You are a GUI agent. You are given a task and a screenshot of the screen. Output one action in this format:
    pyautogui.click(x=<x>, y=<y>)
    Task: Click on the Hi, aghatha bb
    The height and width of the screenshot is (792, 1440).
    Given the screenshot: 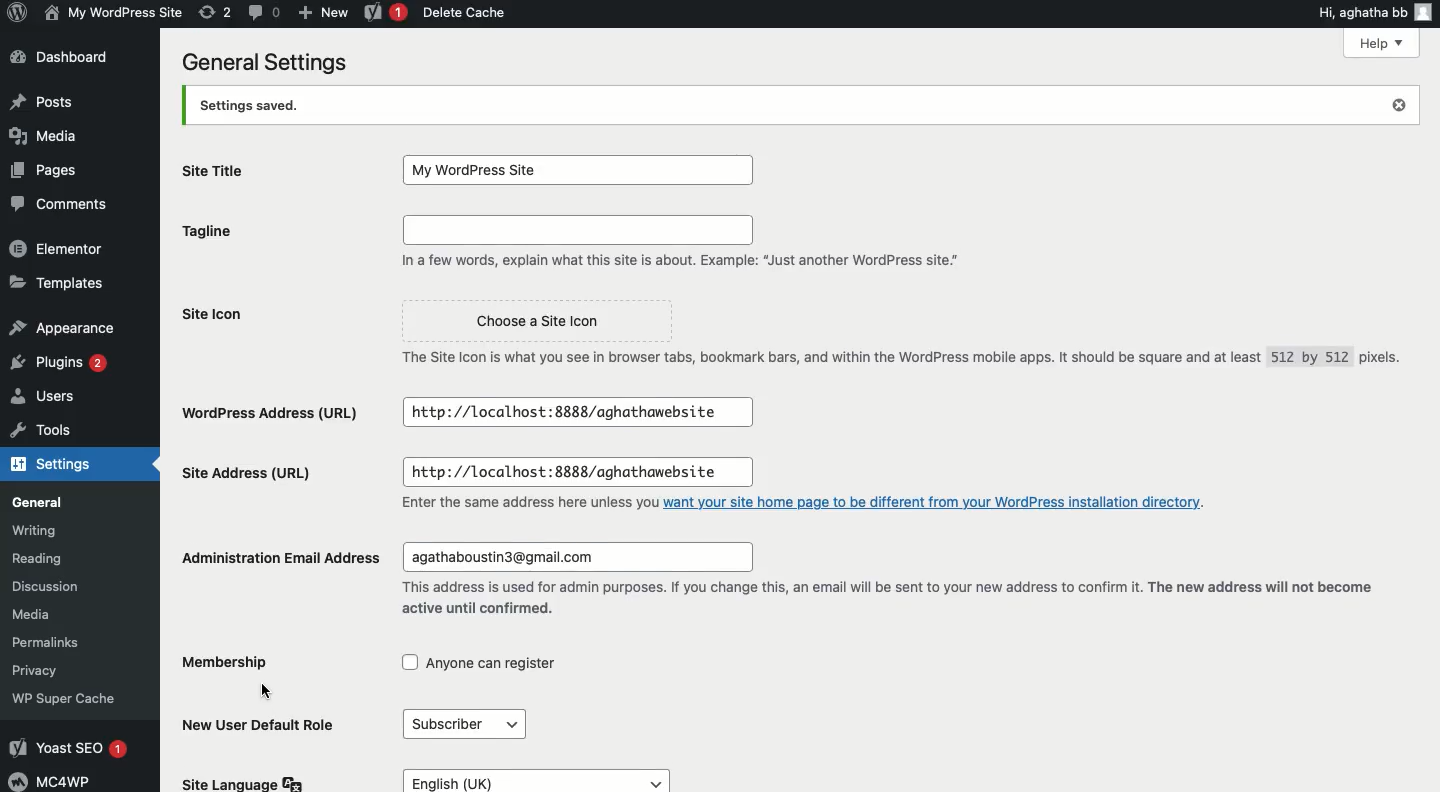 What is the action you would take?
    pyautogui.click(x=1376, y=13)
    